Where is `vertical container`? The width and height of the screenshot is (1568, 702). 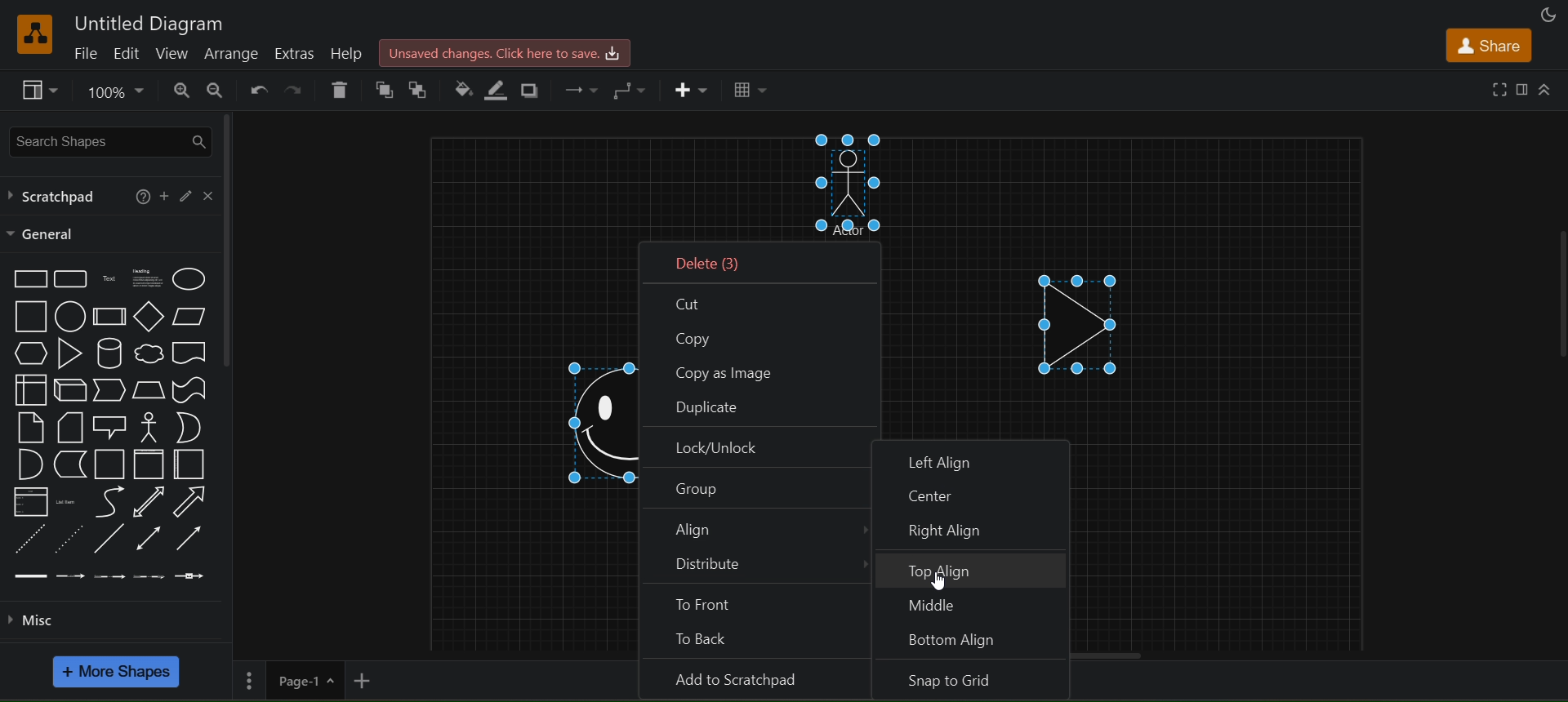
vertical container is located at coordinates (149, 464).